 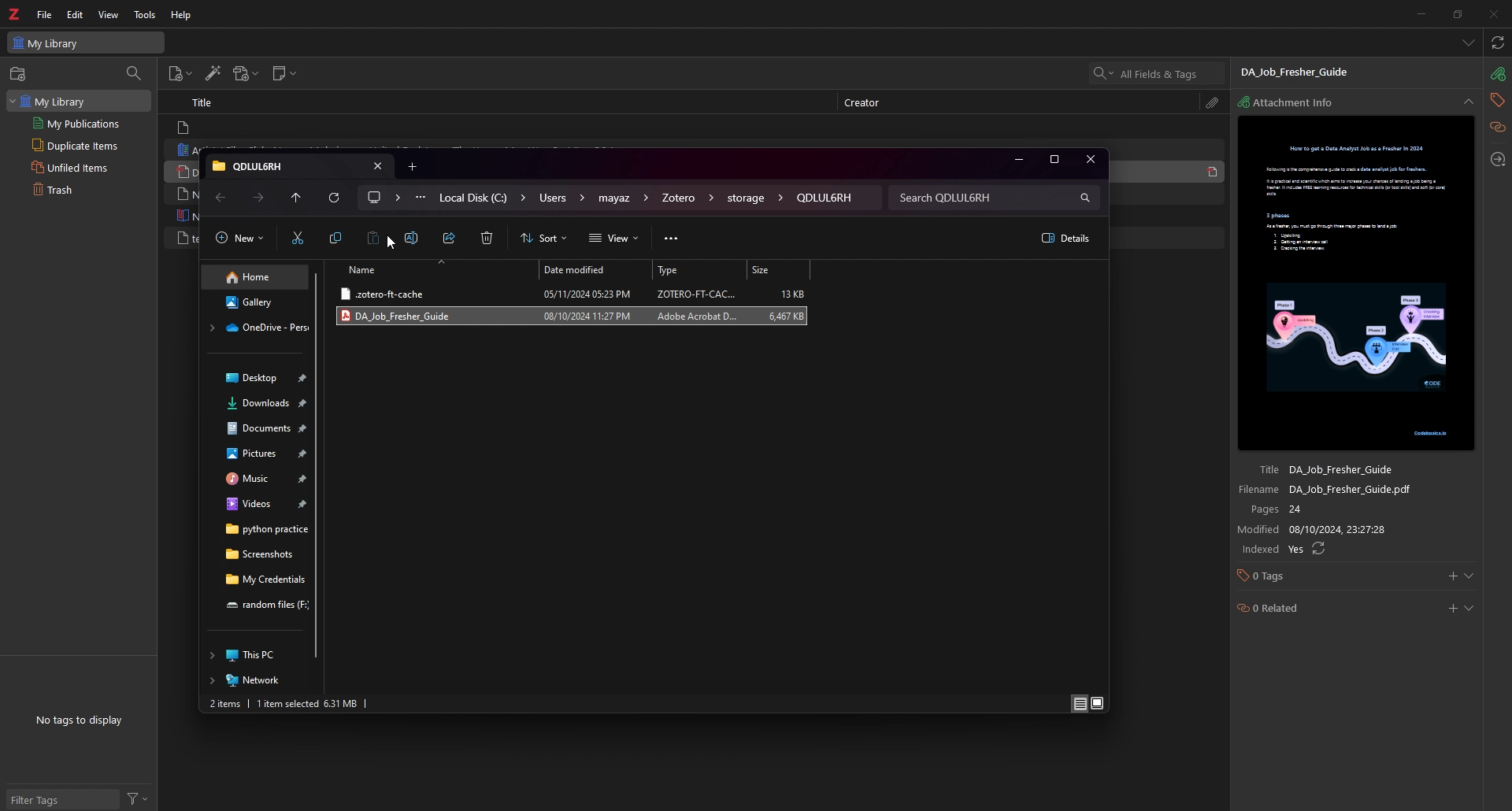 I want to click on search bar, so click(x=996, y=197).